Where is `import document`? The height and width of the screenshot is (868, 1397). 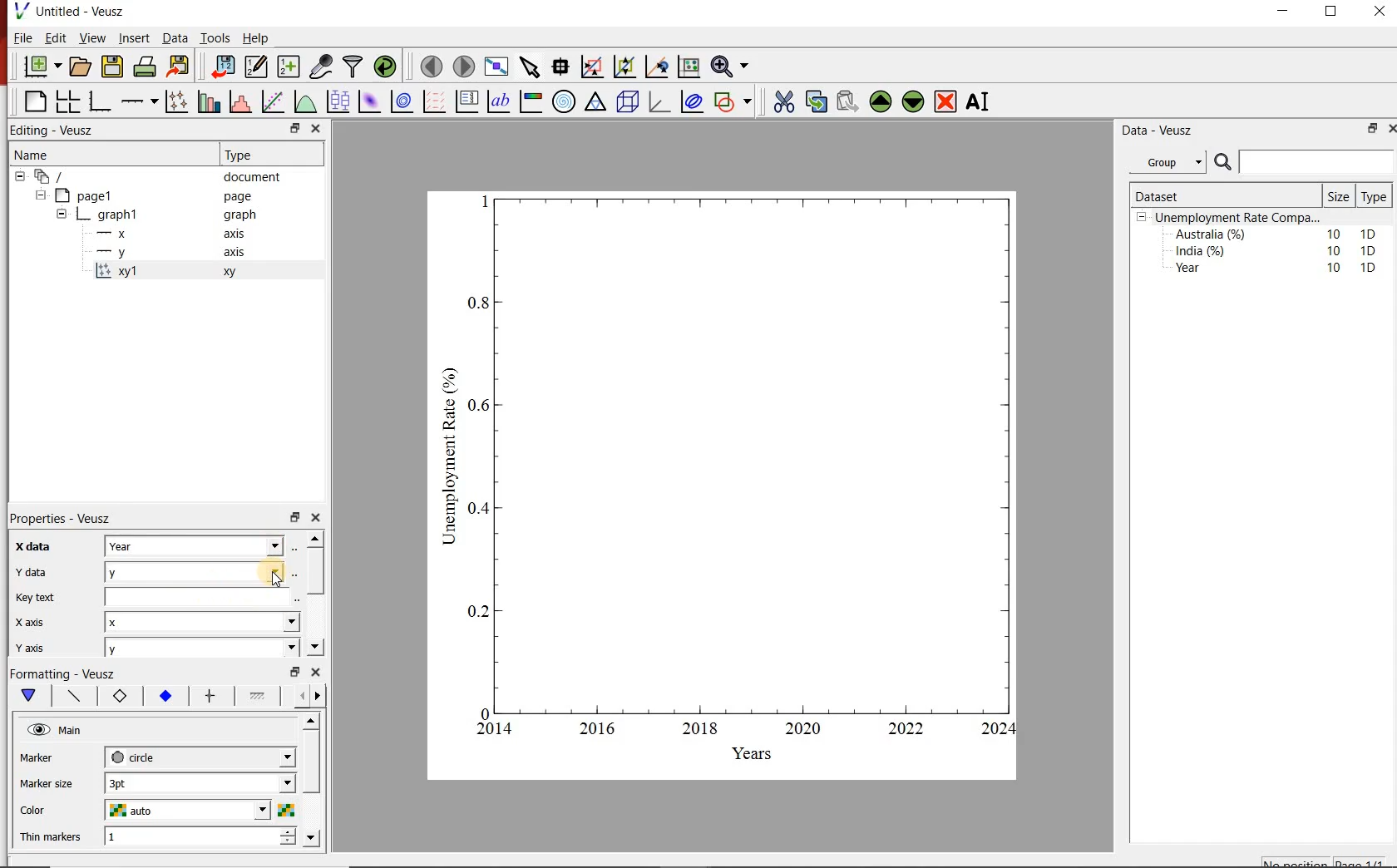 import document is located at coordinates (225, 65).